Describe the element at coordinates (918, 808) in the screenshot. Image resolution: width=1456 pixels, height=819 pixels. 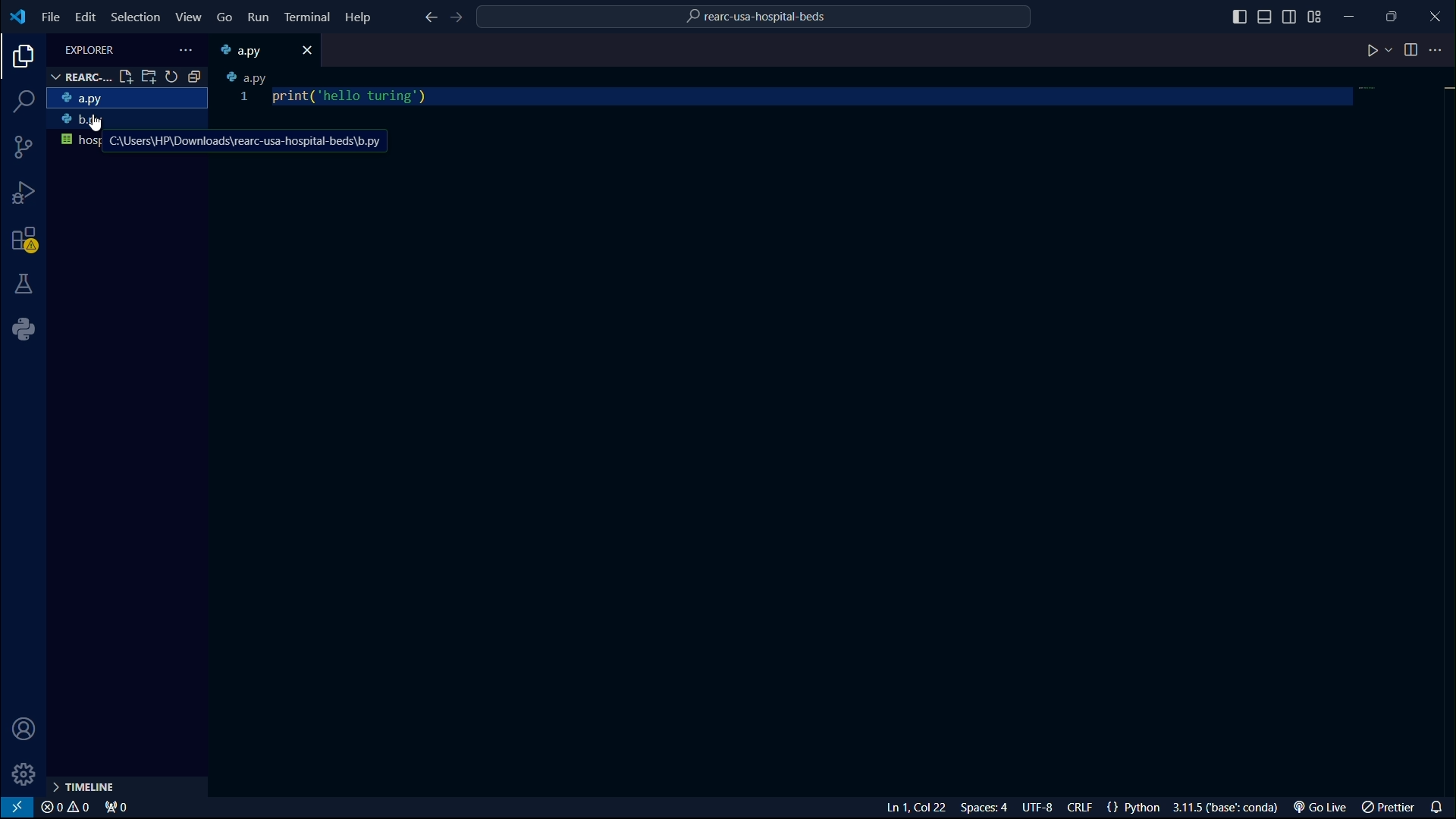
I see `Ln 1, Col 22` at that location.